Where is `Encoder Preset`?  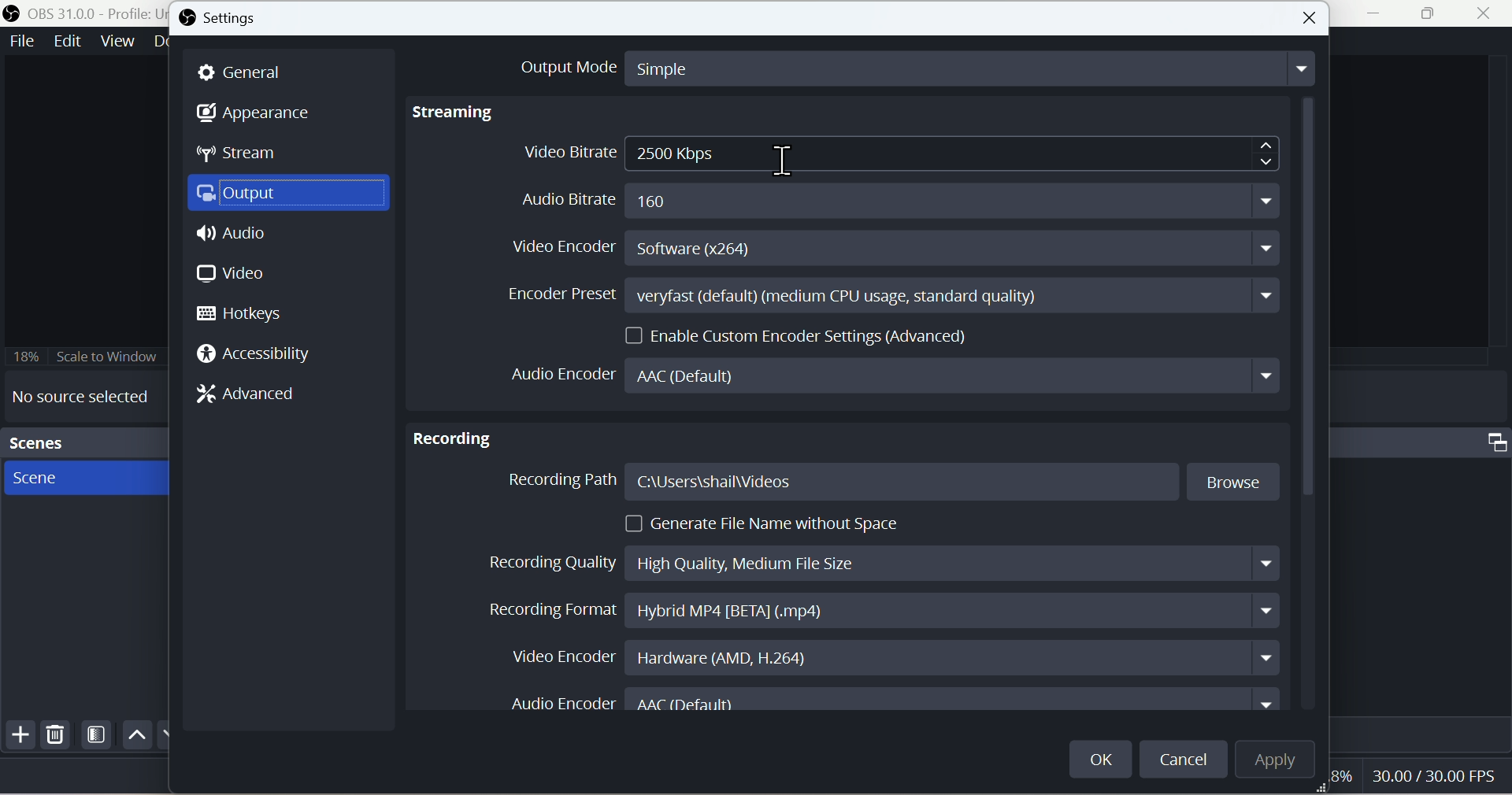 Encoder Preset is located at coordinates (888, 295).